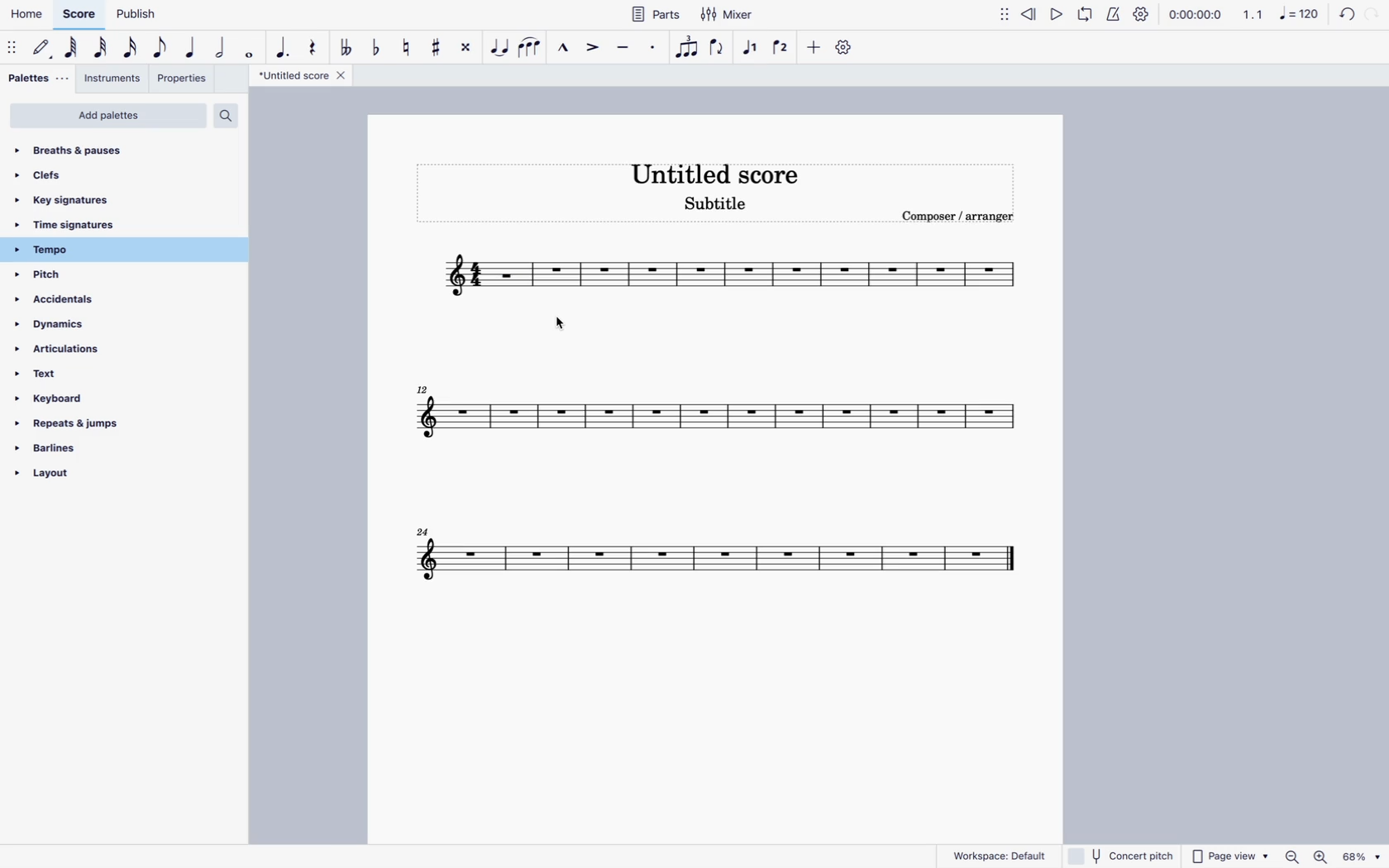  What do you see at coordinates (1029, 13) in the screenshot?
I see `rewind` at bounding box center [1029, 13].